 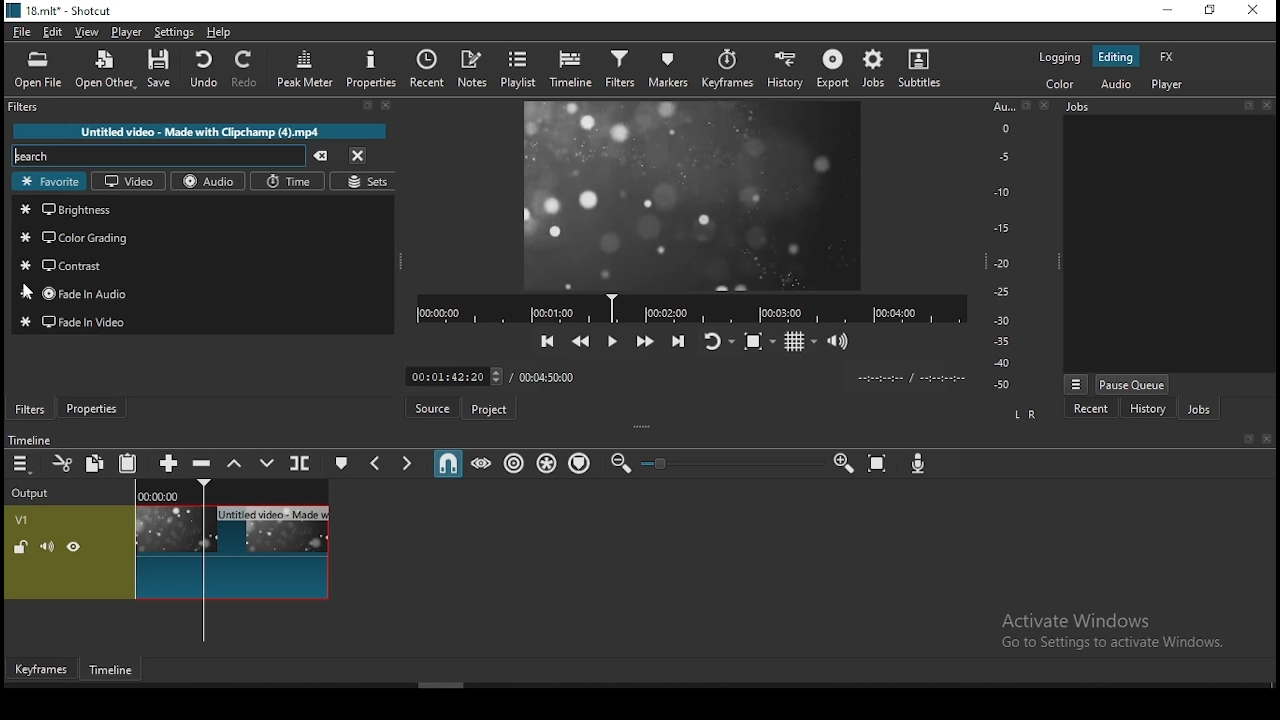 I want to click on snap, so click(x=447, y=461).